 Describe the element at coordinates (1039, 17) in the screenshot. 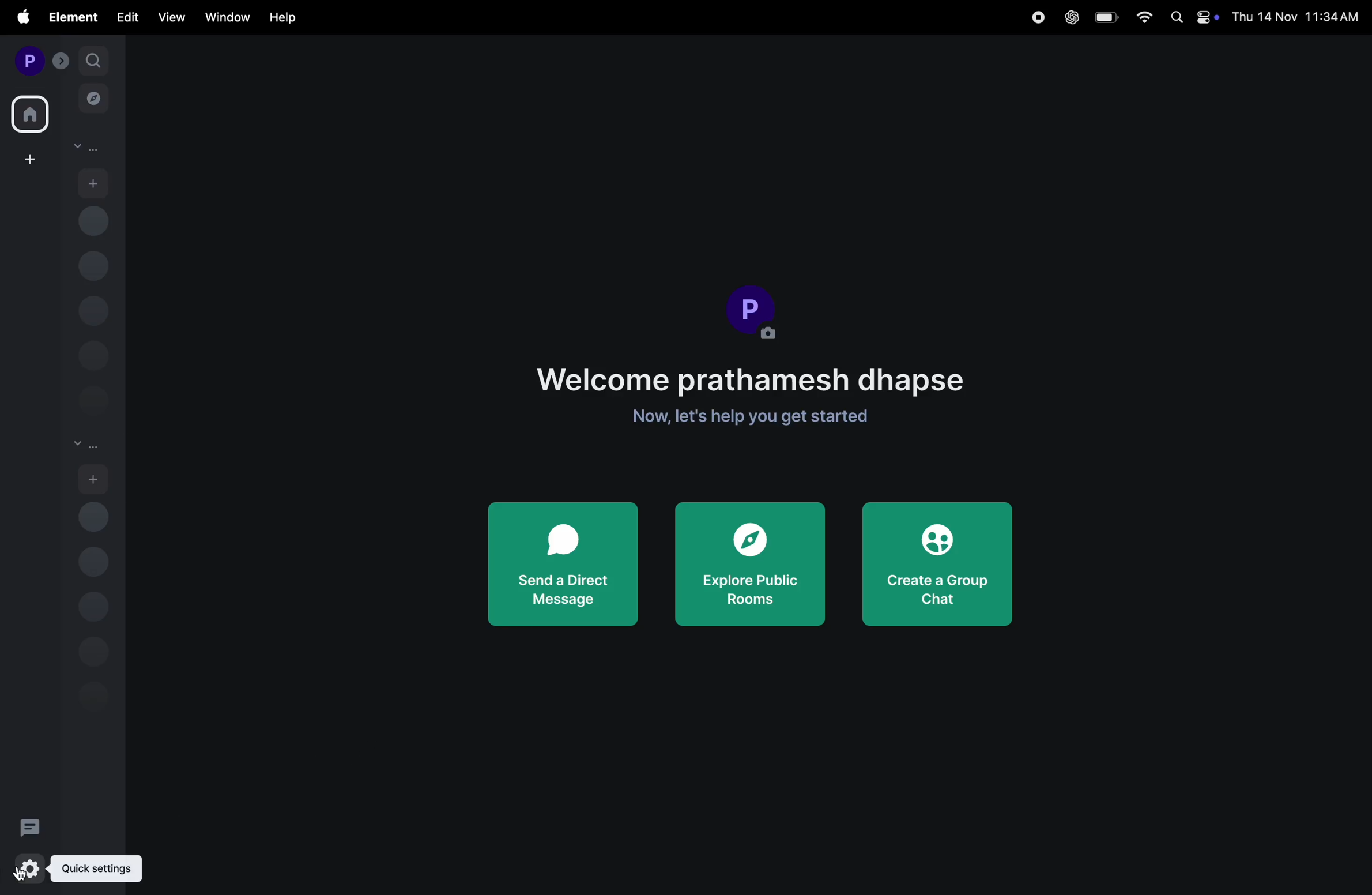

I see `record` at that location.